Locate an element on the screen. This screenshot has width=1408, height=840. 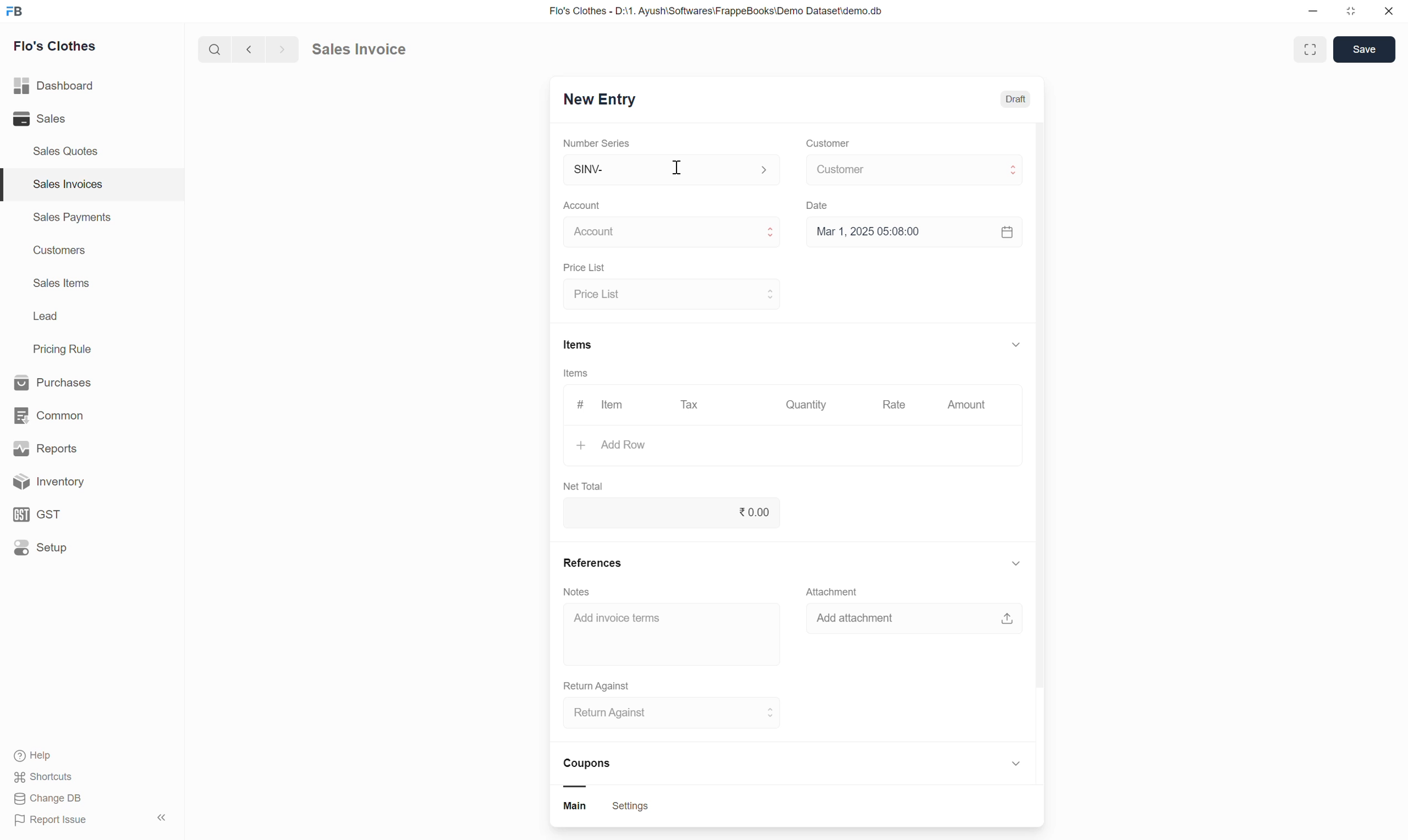
Items is located at coordinates (576, 375).